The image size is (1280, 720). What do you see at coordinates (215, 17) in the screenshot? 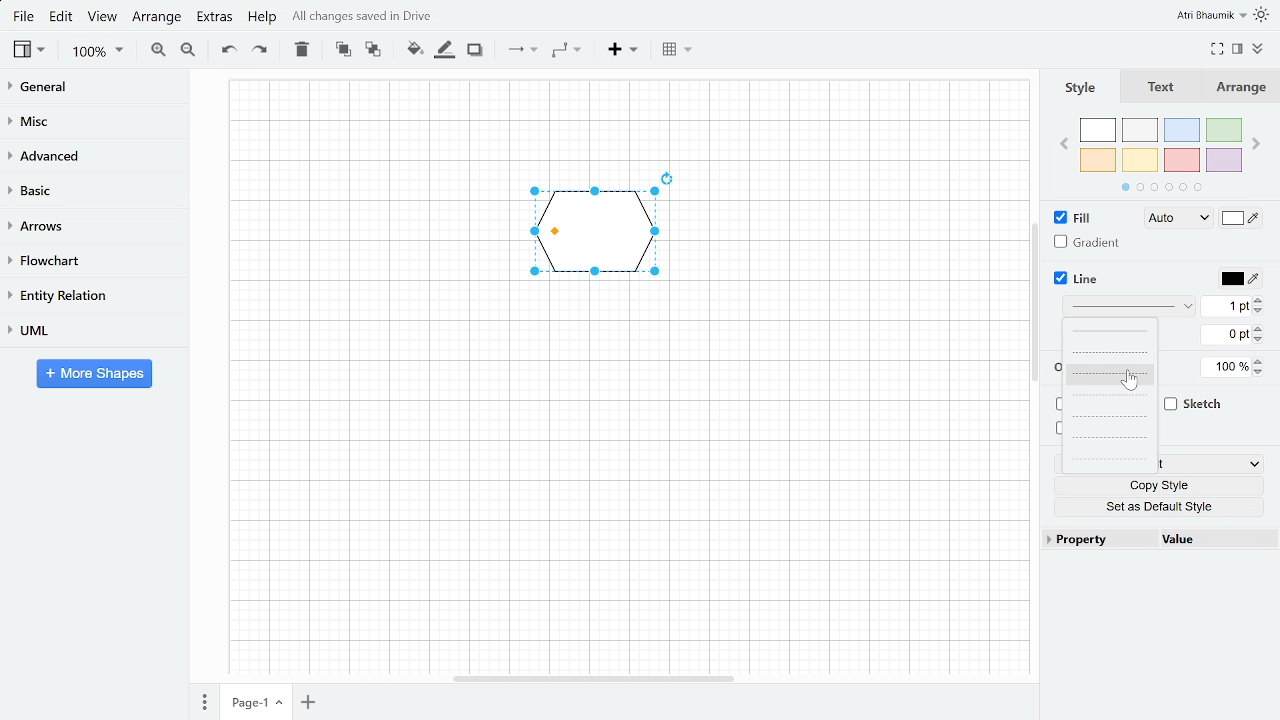
I see `Extras` at bounding box center [215, 17].